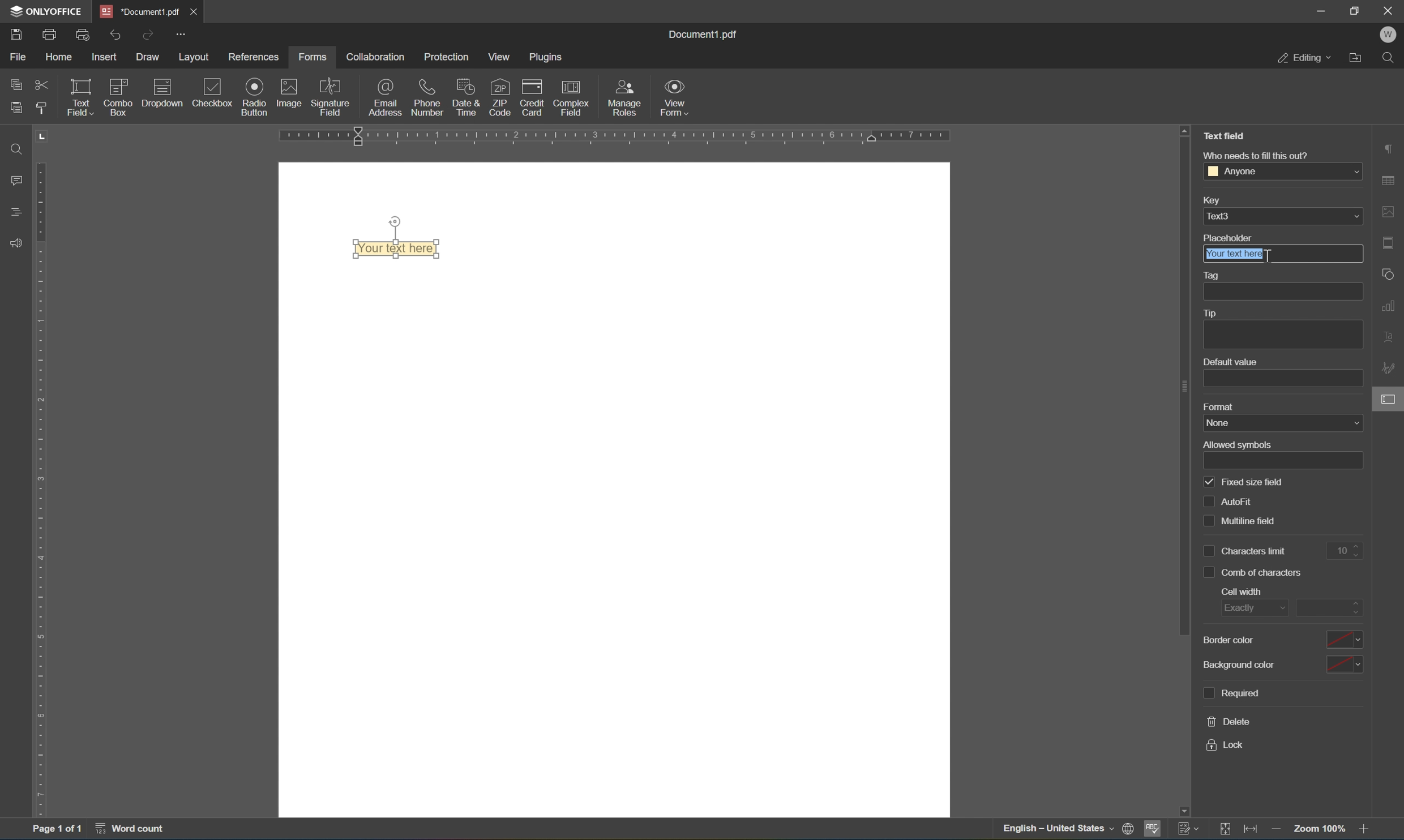 The image size is (1404, 840). What do you see at coordinates (1392, 149) in the screenshot?
I see `paragraph settings` at bounding box center [1392, 149].